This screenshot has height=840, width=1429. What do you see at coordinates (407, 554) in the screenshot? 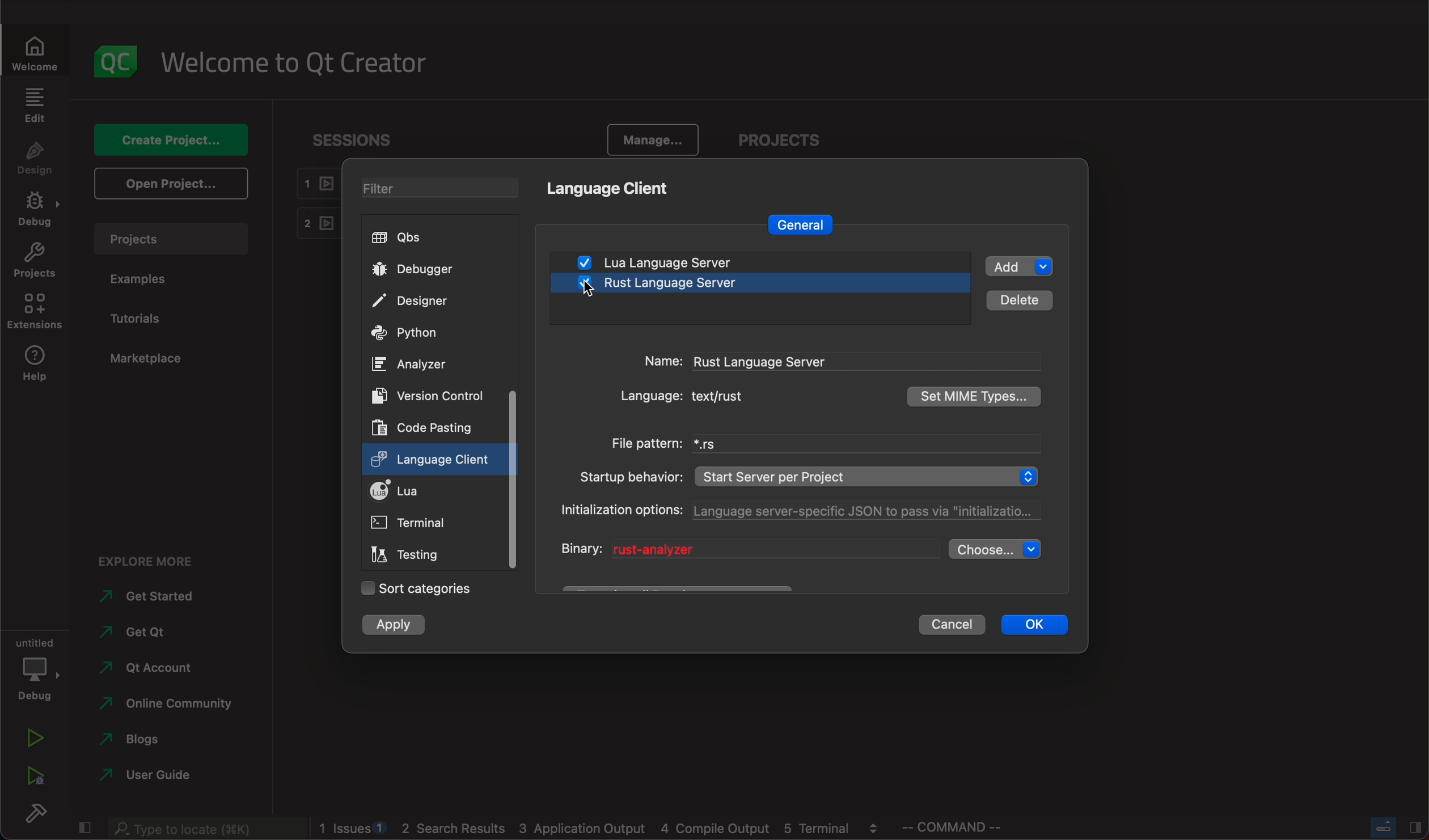
I see `testing` at bounding box center [407, 554].